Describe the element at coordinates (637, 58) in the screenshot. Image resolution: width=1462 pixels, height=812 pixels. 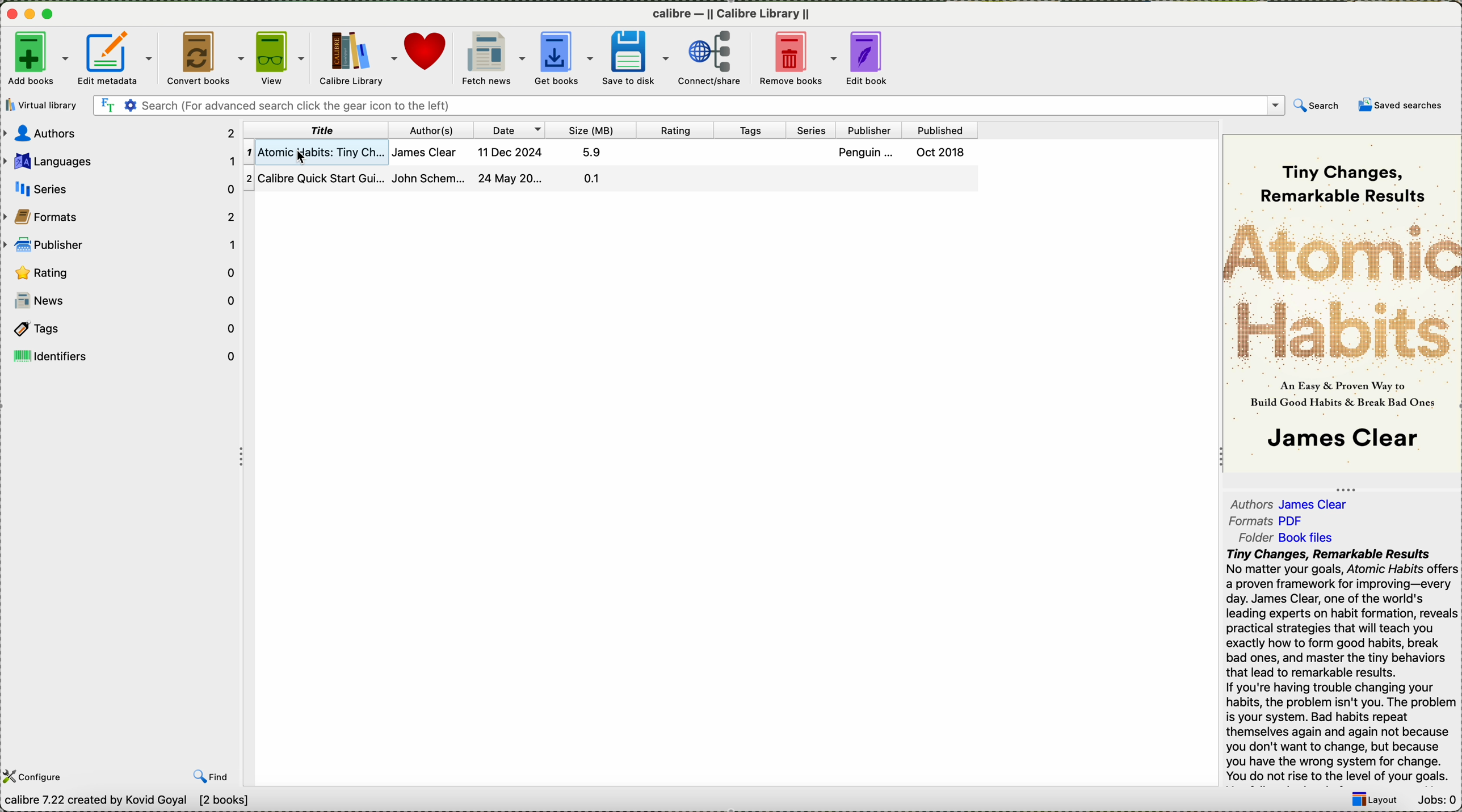
I see `save to disk` at that location.